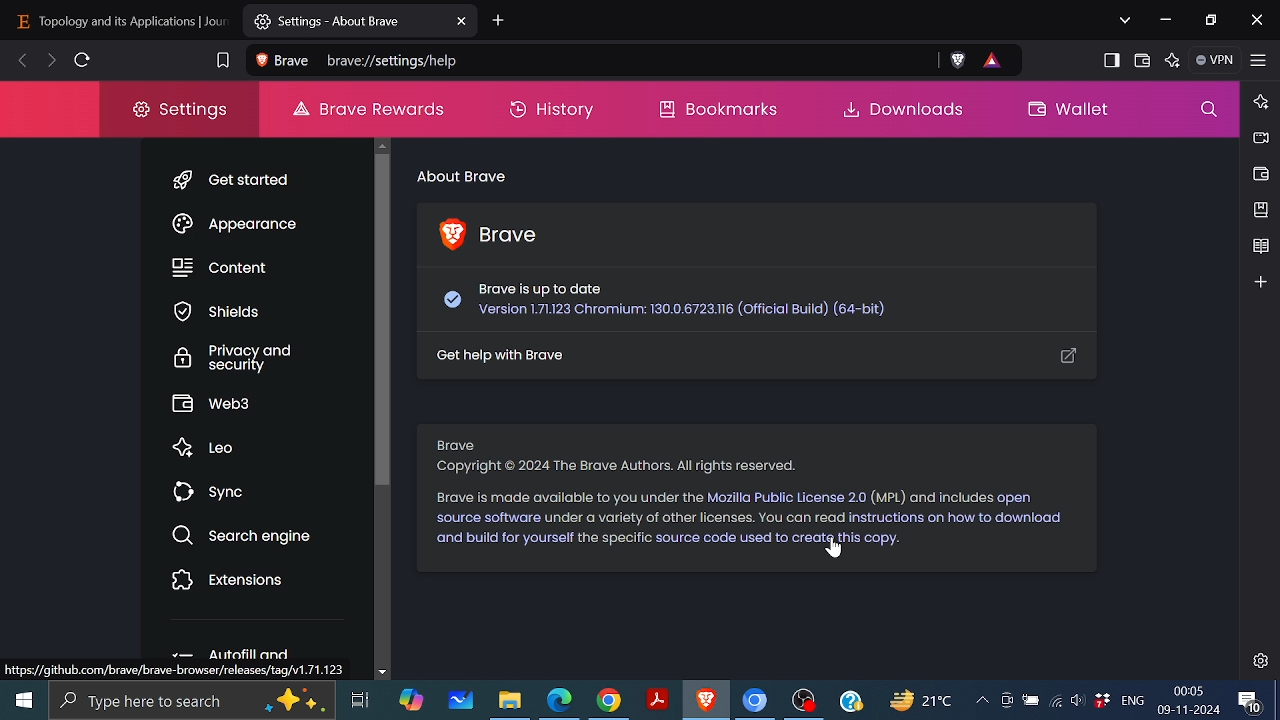  I want to click on Get help with brave, so click(760, 359).